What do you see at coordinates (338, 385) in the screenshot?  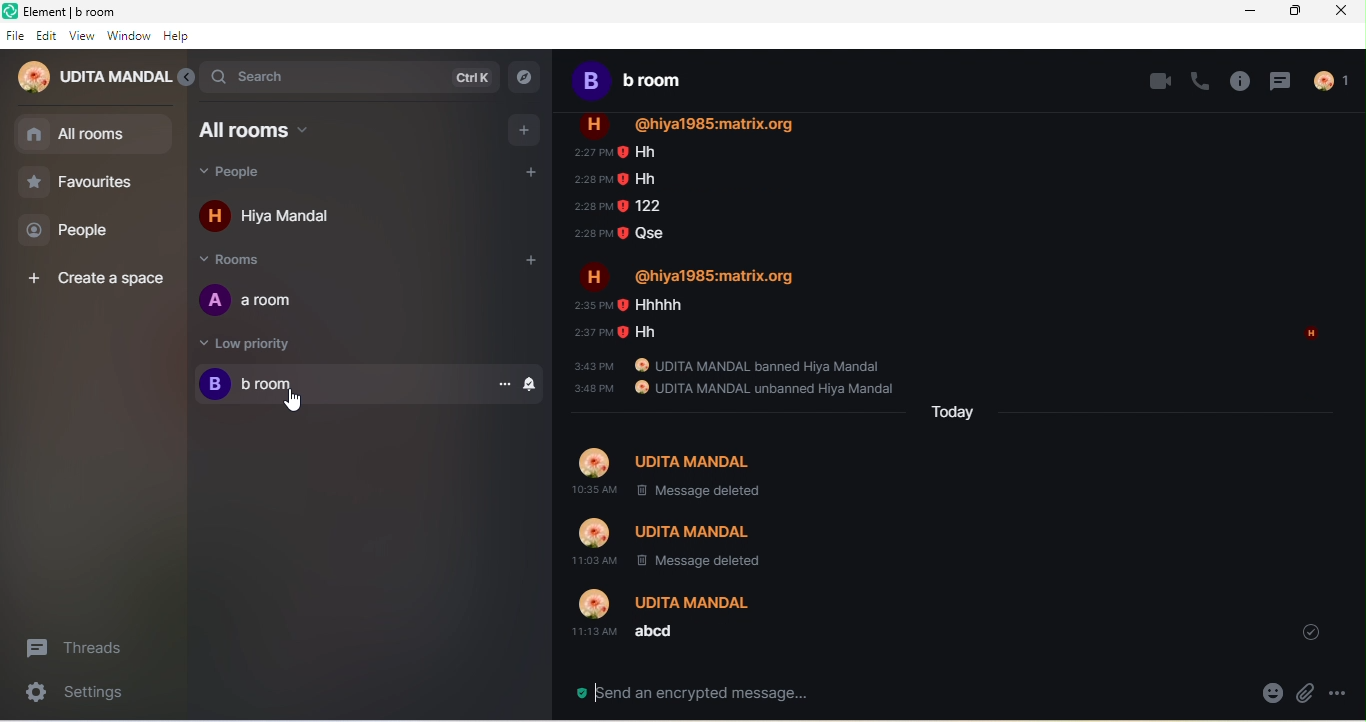 I see `b room` at bounding box center [338, 385].